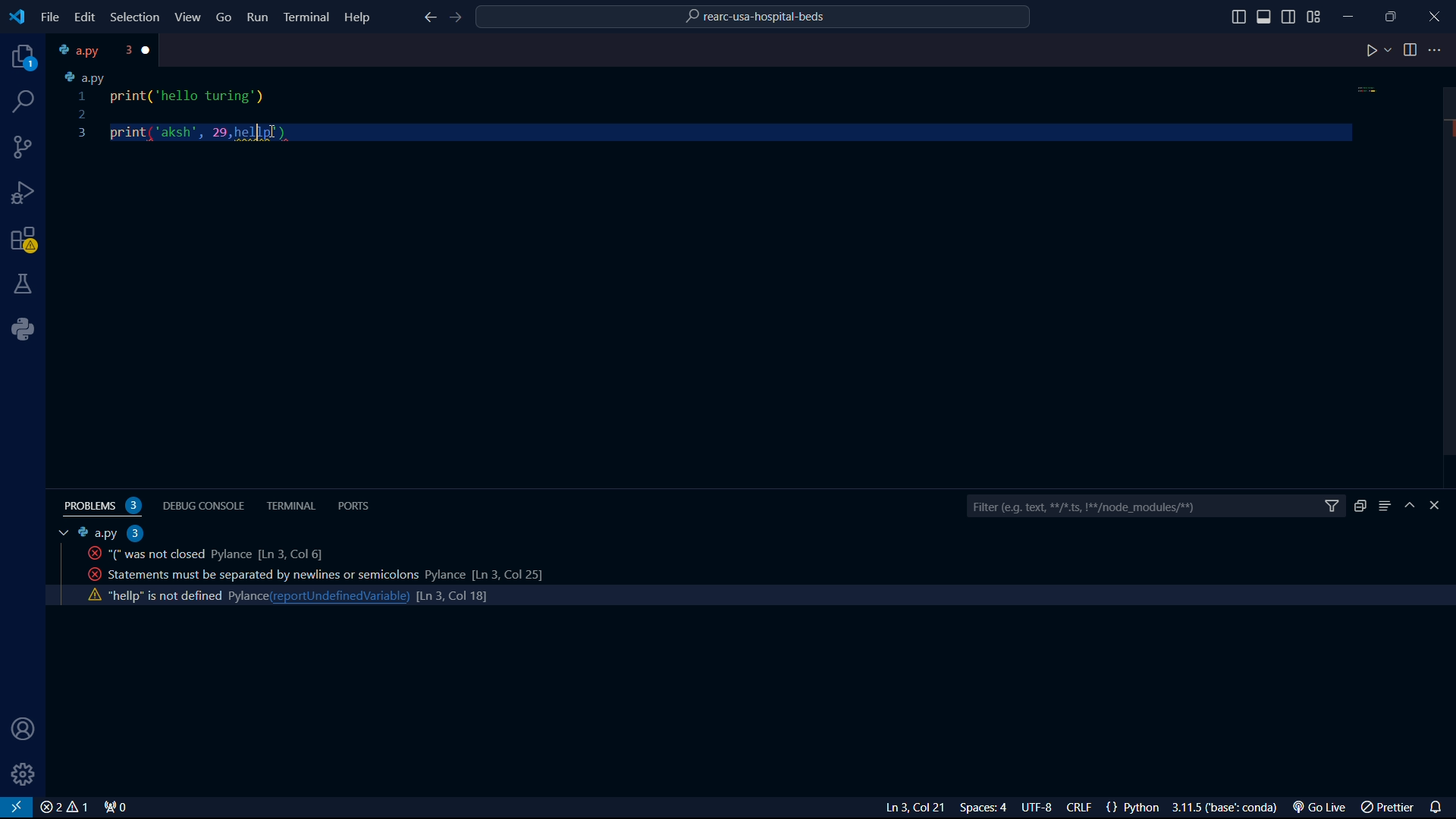  Describe the element at coordinates (25, 102) in the screenshot. I see `search` at that location.